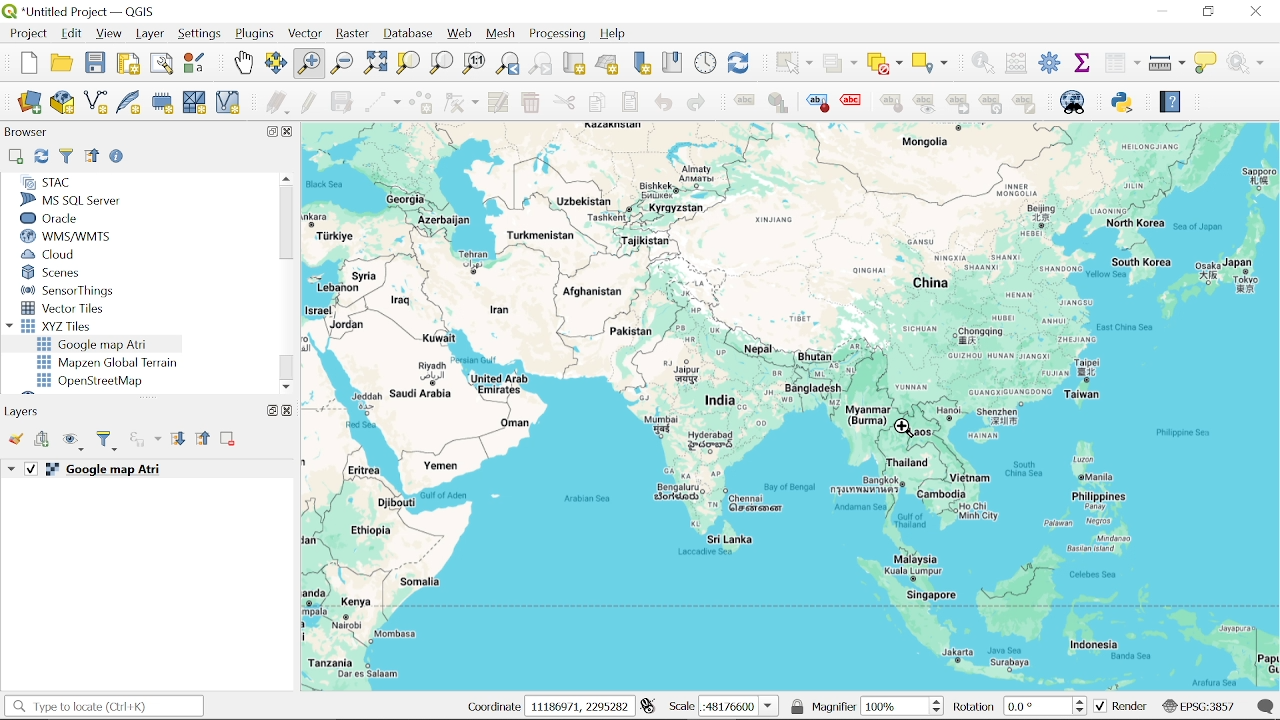 The width and height of the screenshot is (1280, 720). I want to click on Google map Atri, so click(96, 344).